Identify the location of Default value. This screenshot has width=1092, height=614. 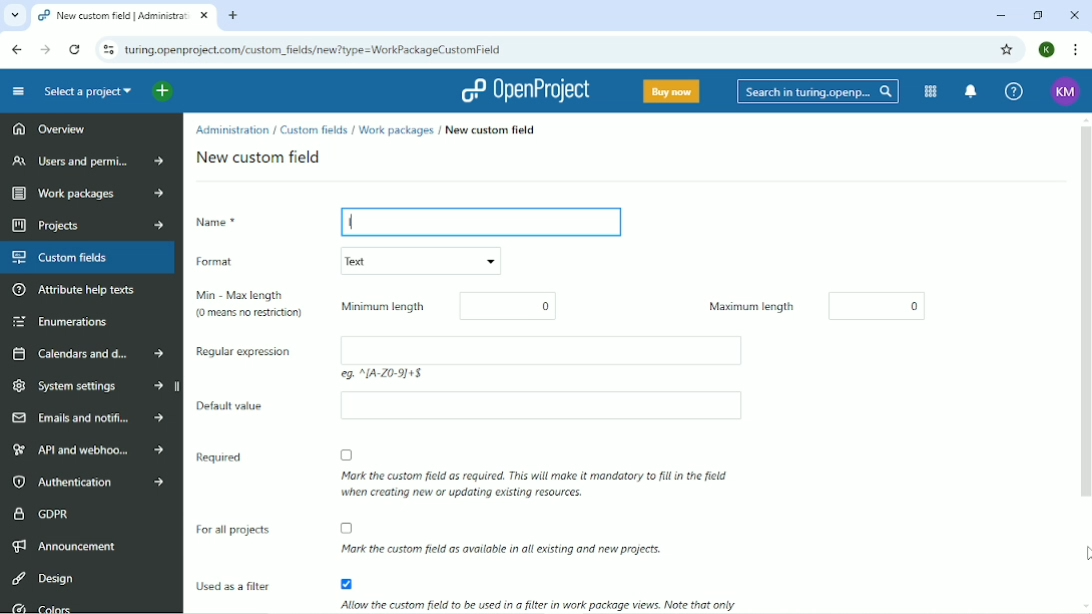
(243, 412).